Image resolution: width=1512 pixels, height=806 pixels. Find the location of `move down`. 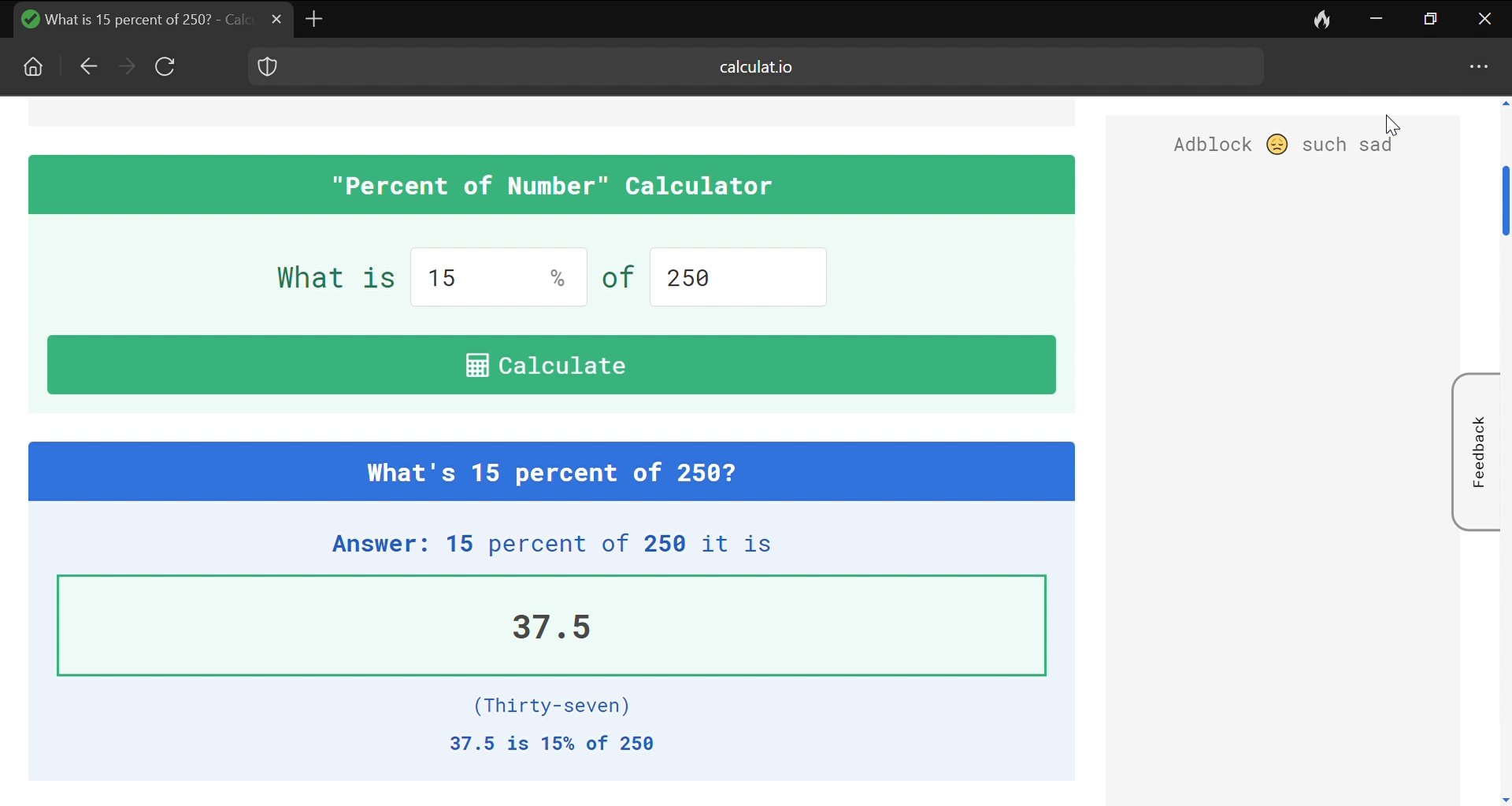

move down is located at coordinates (1503, 800).